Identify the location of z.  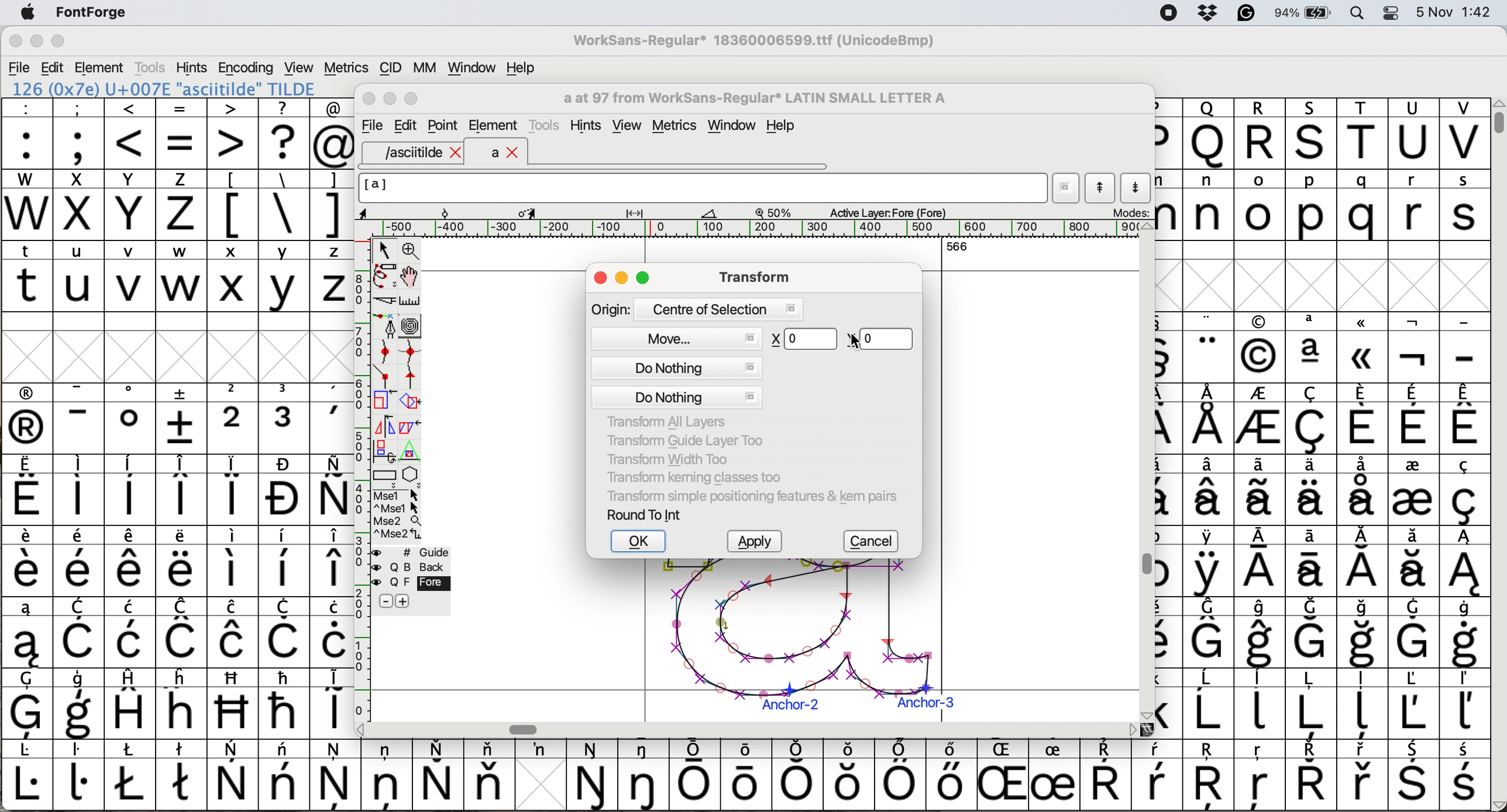
(181, 204).